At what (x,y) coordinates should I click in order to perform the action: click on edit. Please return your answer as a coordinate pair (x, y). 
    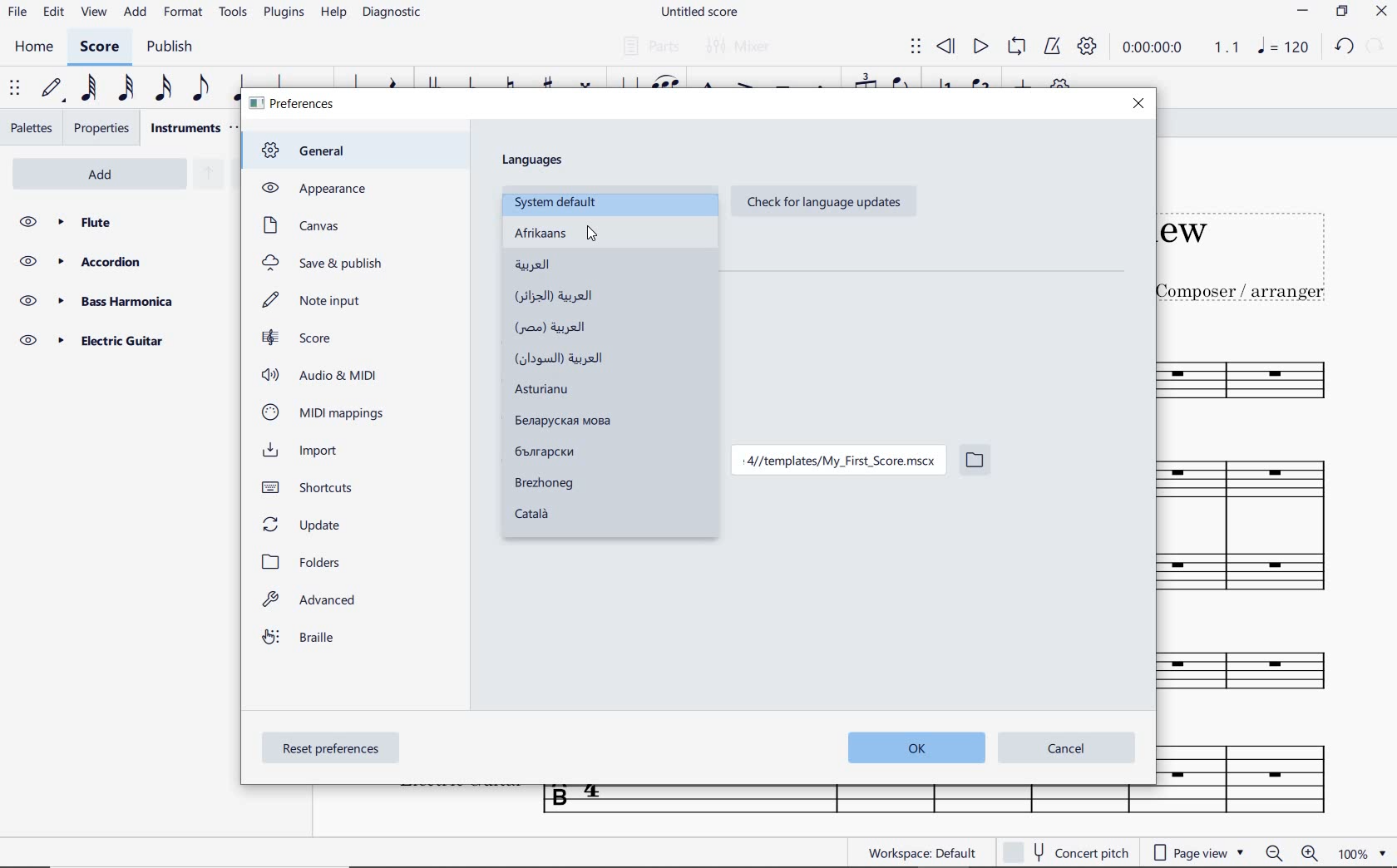
    Looking at the image, I should click on (52, 15).